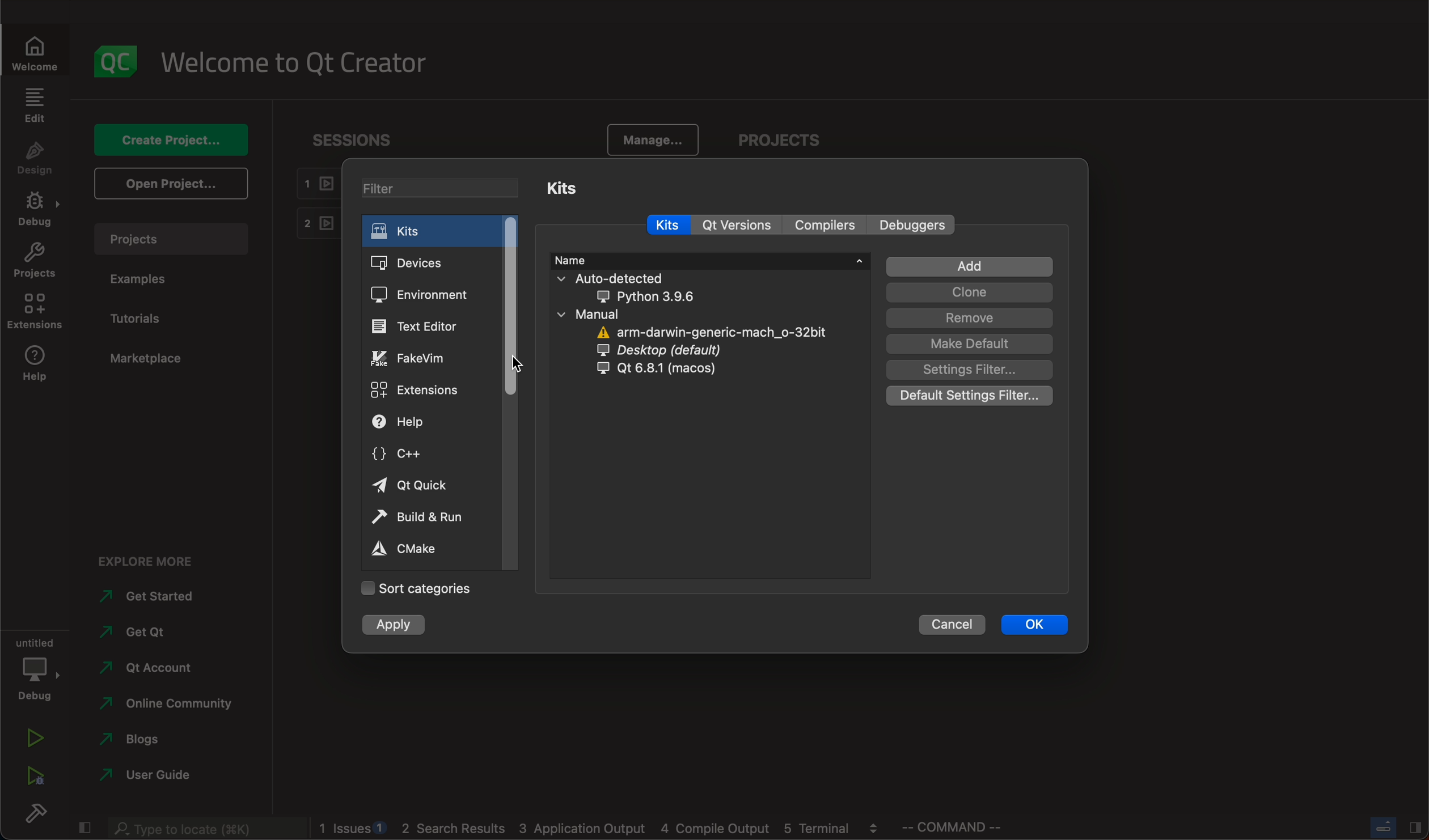  Describe the element at coordinates (512, 391) in the screenshot. I see `scroll bar` at that location.